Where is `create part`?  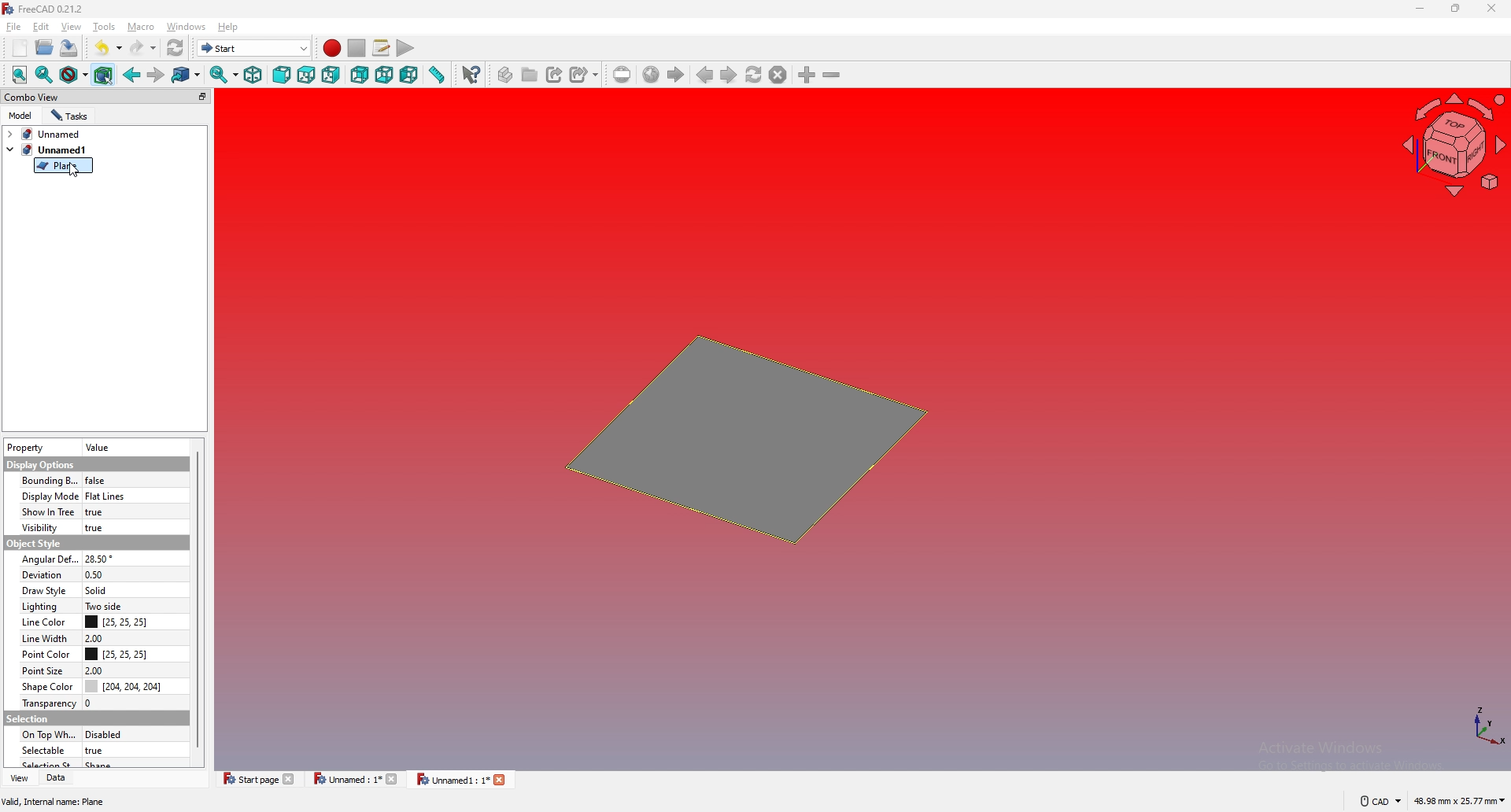
create part is located at coordinates (507, 75).